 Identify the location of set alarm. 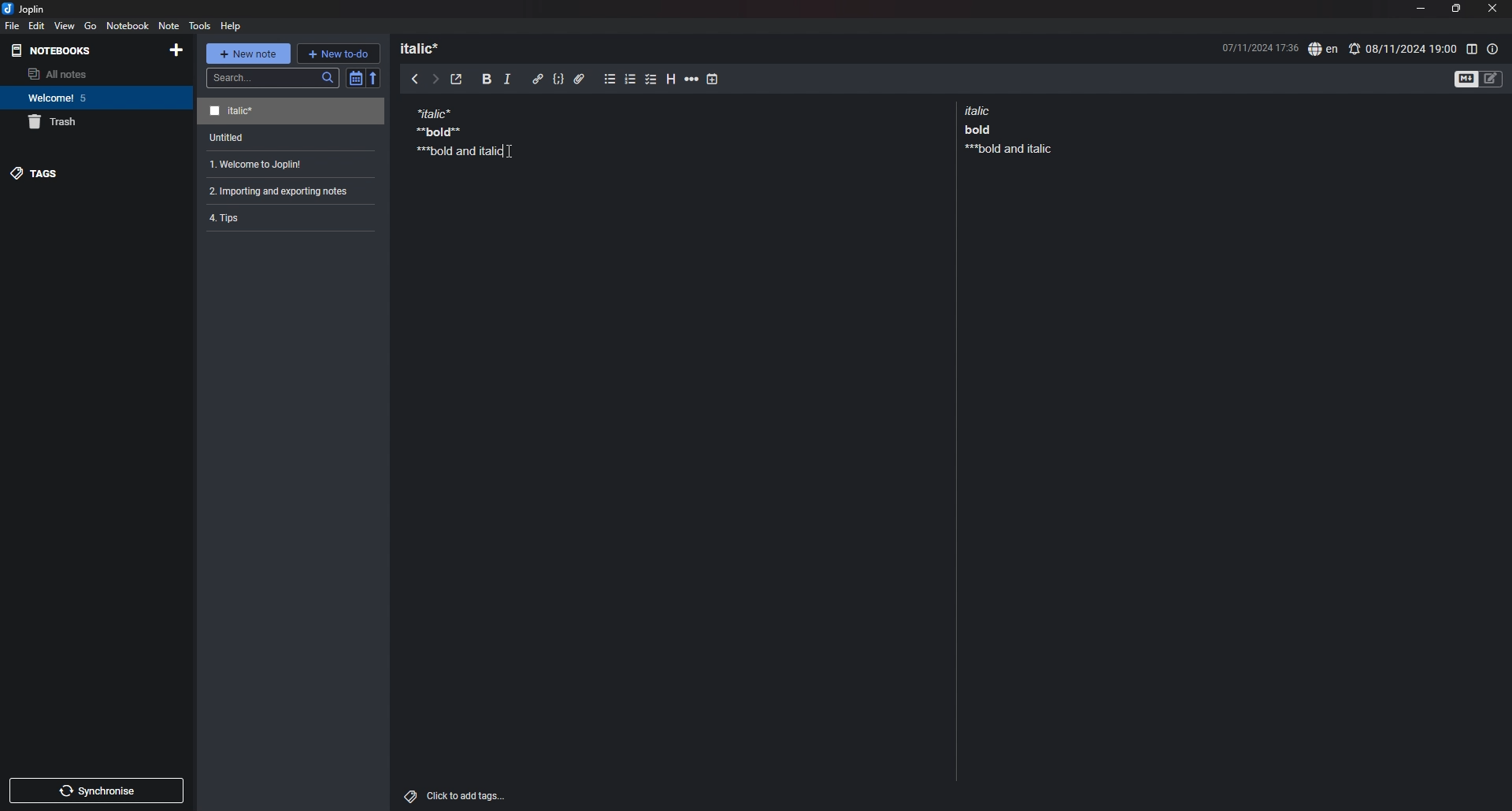
(1403, 48).